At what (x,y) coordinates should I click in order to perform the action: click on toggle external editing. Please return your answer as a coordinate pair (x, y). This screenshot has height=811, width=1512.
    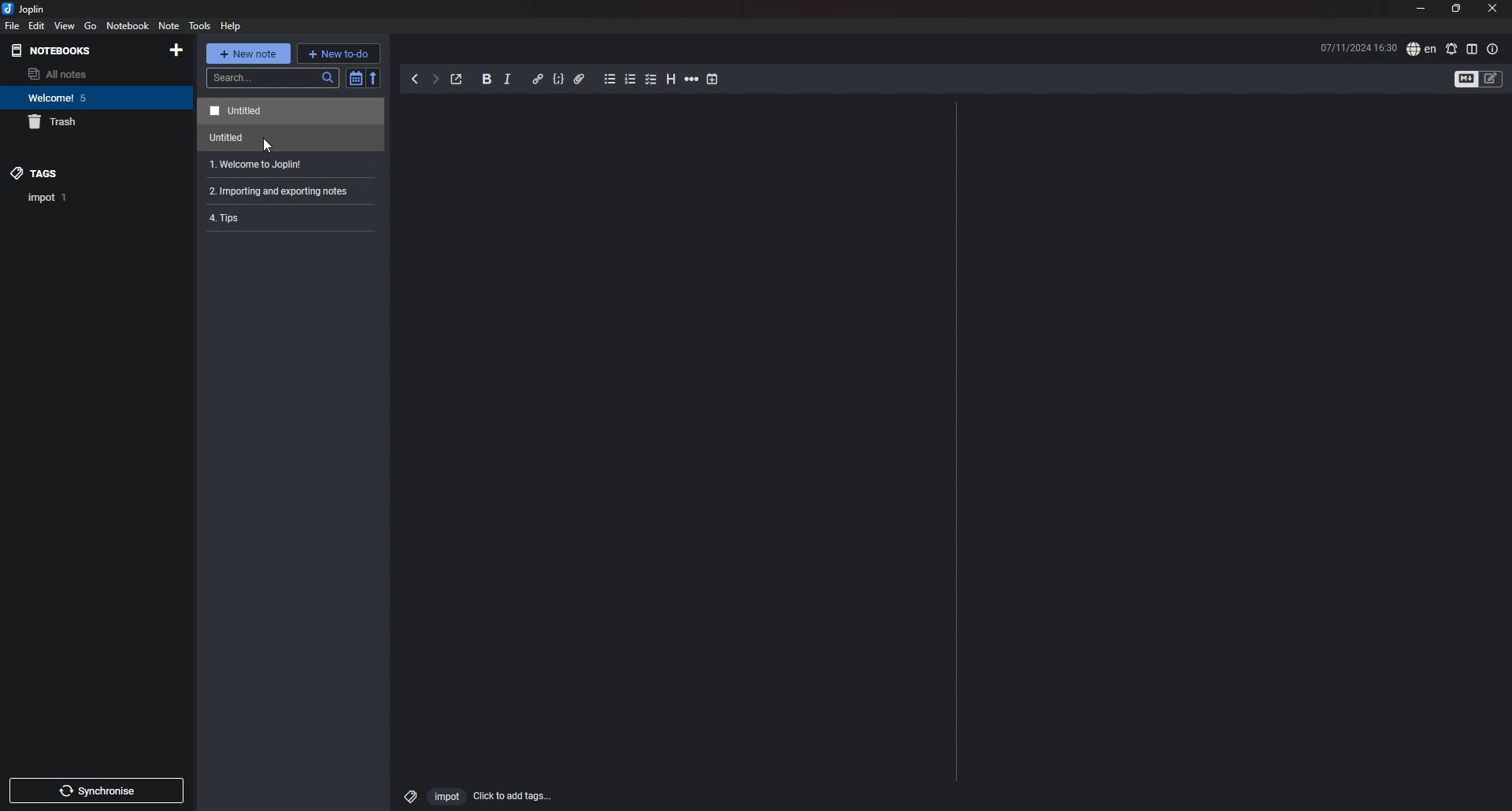
    Looking at the image, I should click on (457, 80).